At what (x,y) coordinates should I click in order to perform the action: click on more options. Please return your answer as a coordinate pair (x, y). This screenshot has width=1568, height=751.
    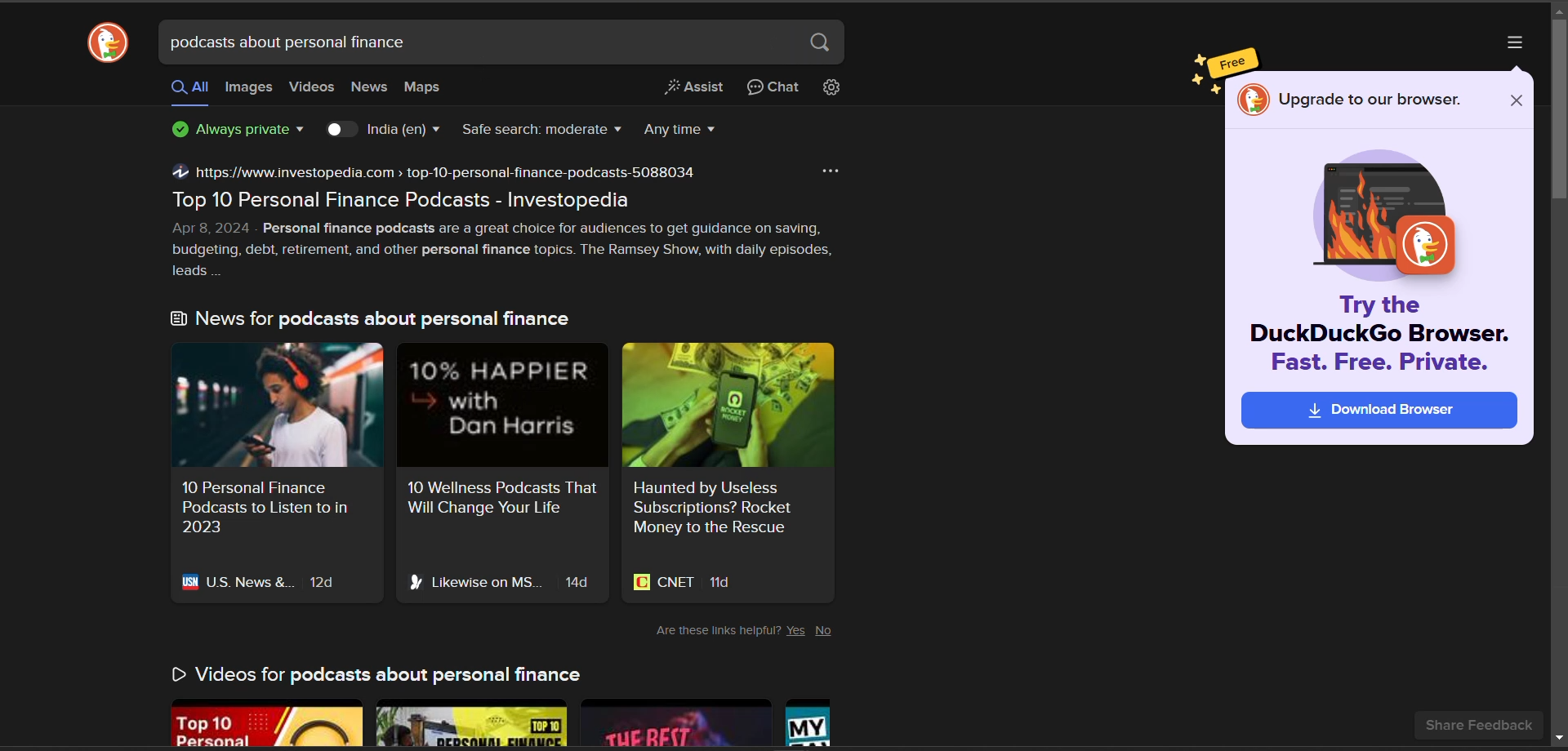
    Looking at the image, I should click on (1516, 44).